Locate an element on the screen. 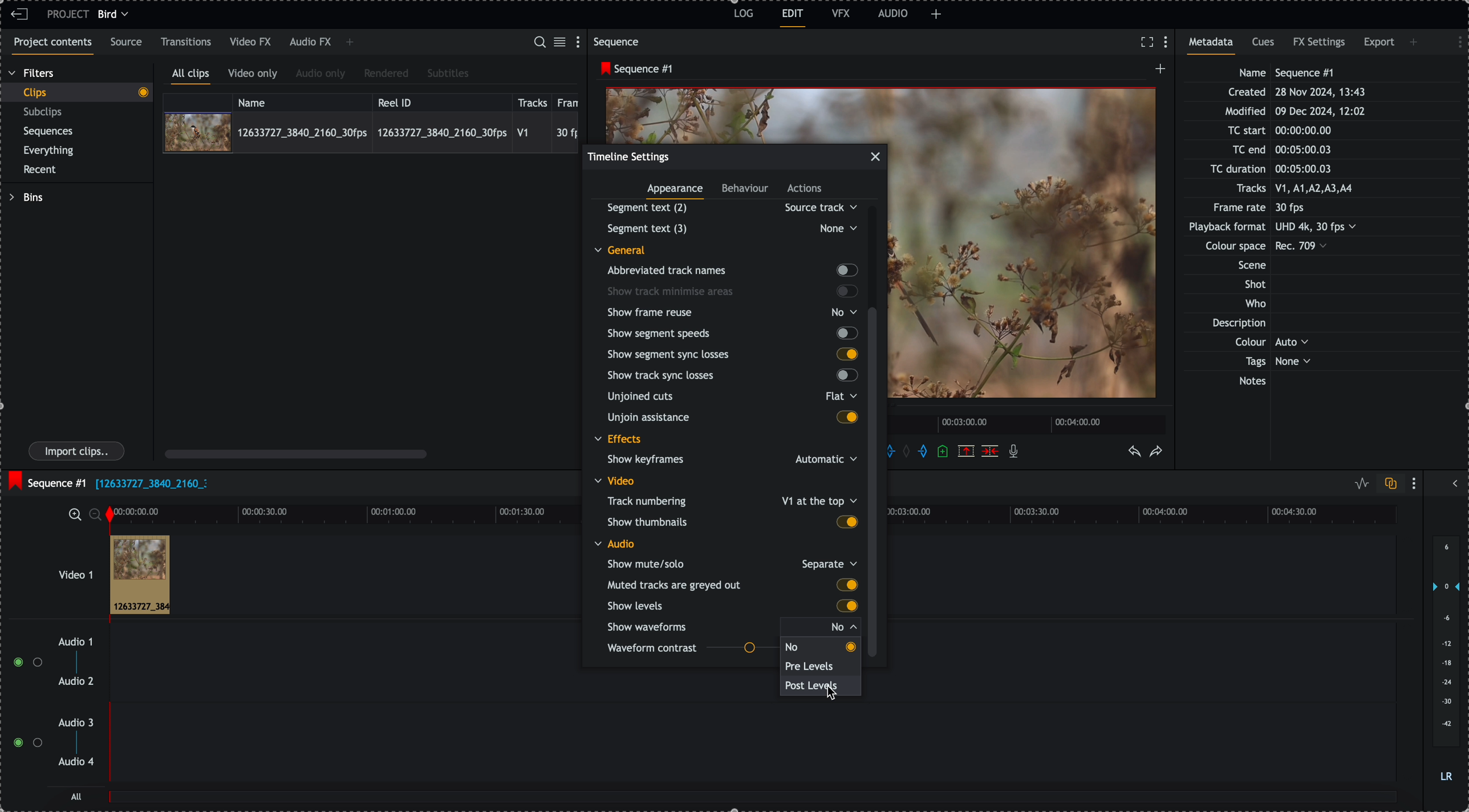  search for assets or bins is located at coordinates (539, 43).